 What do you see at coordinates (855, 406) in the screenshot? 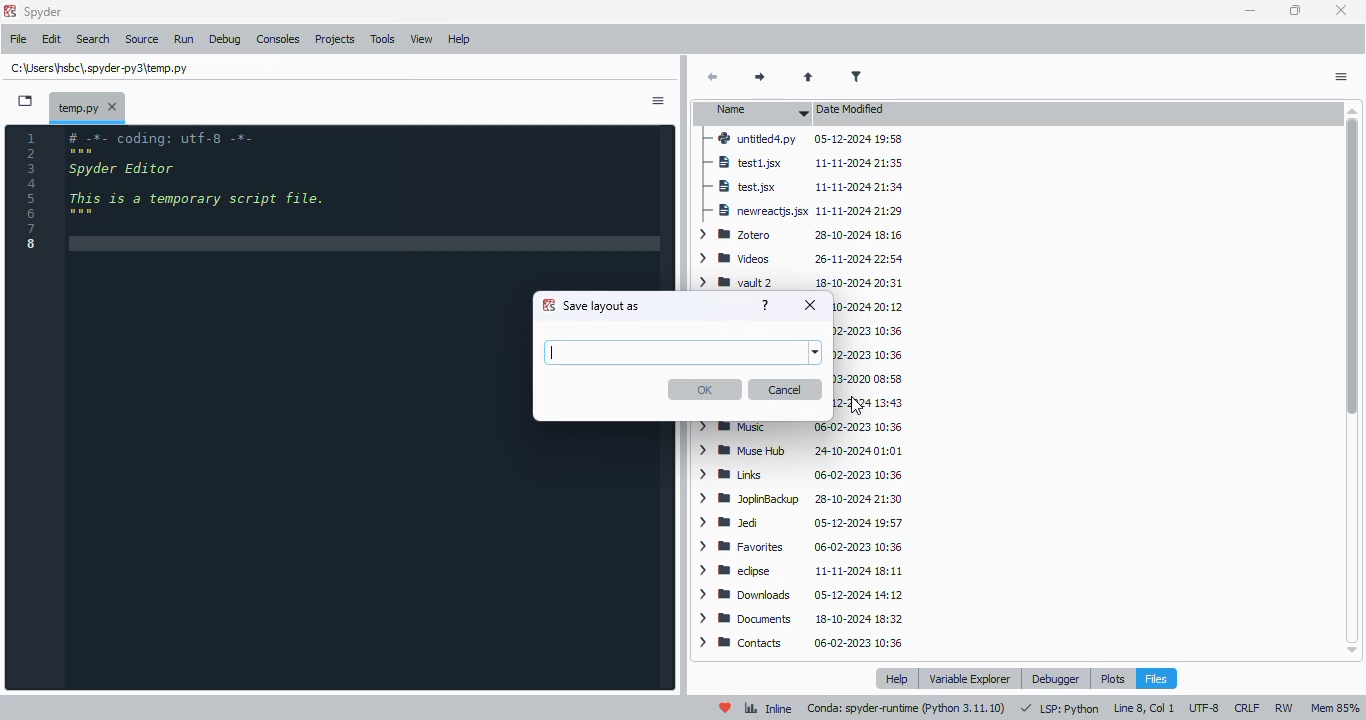
I see `cursor` at bounding box center [855, 406].